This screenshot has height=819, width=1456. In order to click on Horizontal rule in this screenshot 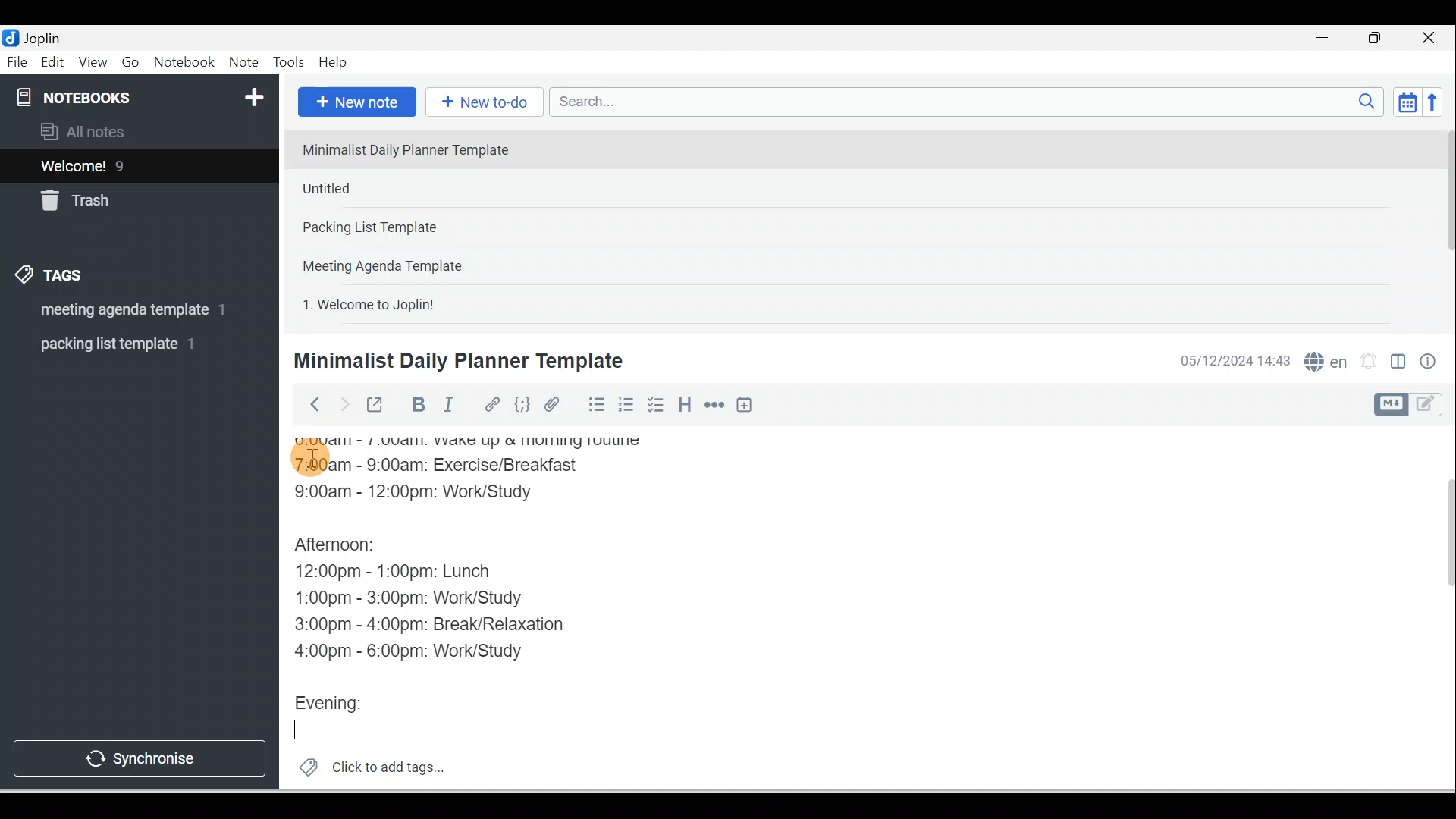, I will do `click(716, 405)`.